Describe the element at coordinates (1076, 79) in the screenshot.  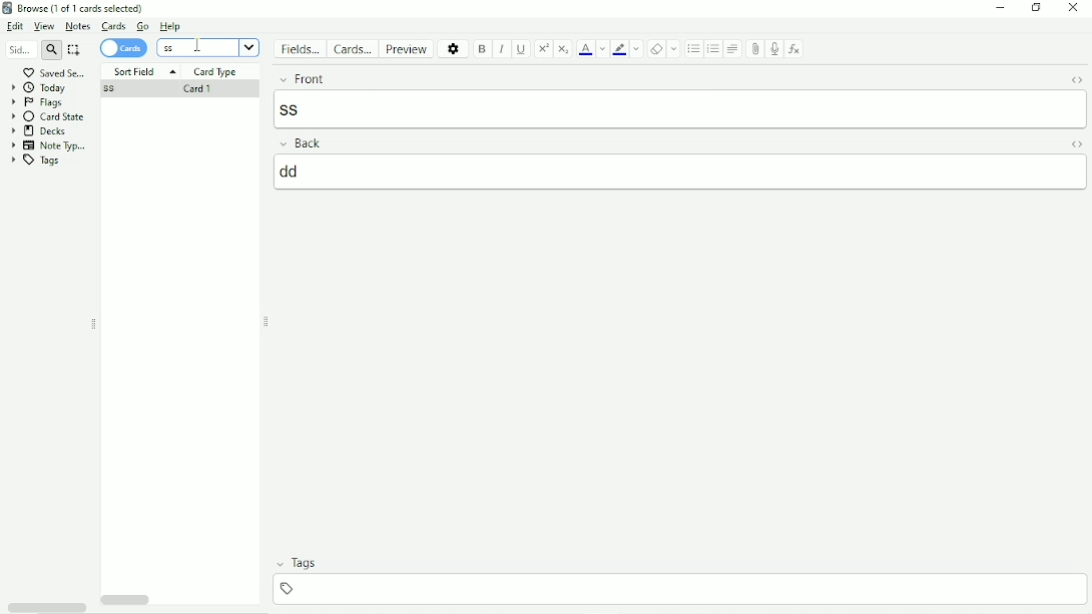
I see `Toggle HTML Editor` at that location.